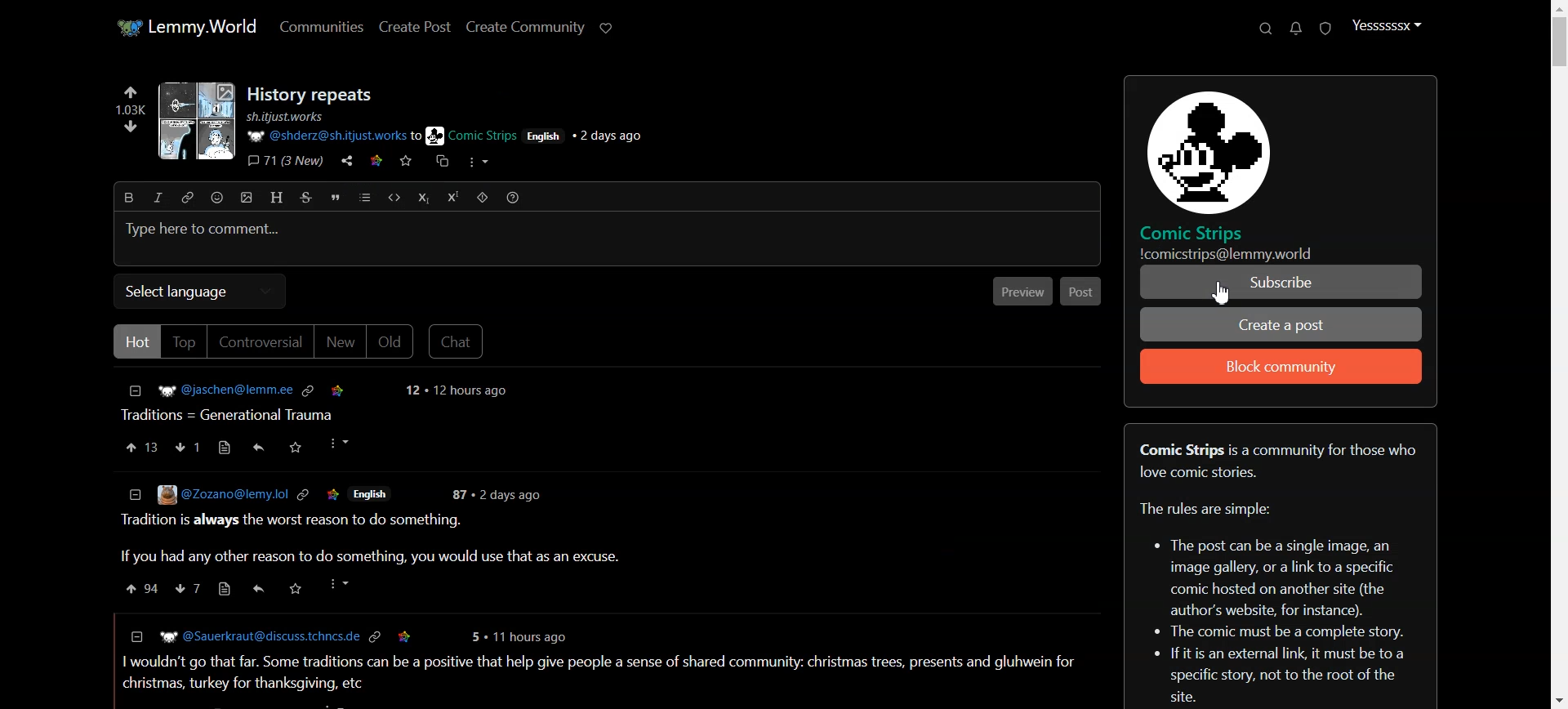 The height and width of the screenshot is (709, 1568). Describe the element at coordinates (513, 197) in the screenshot. I see `Formatting help` at that location.